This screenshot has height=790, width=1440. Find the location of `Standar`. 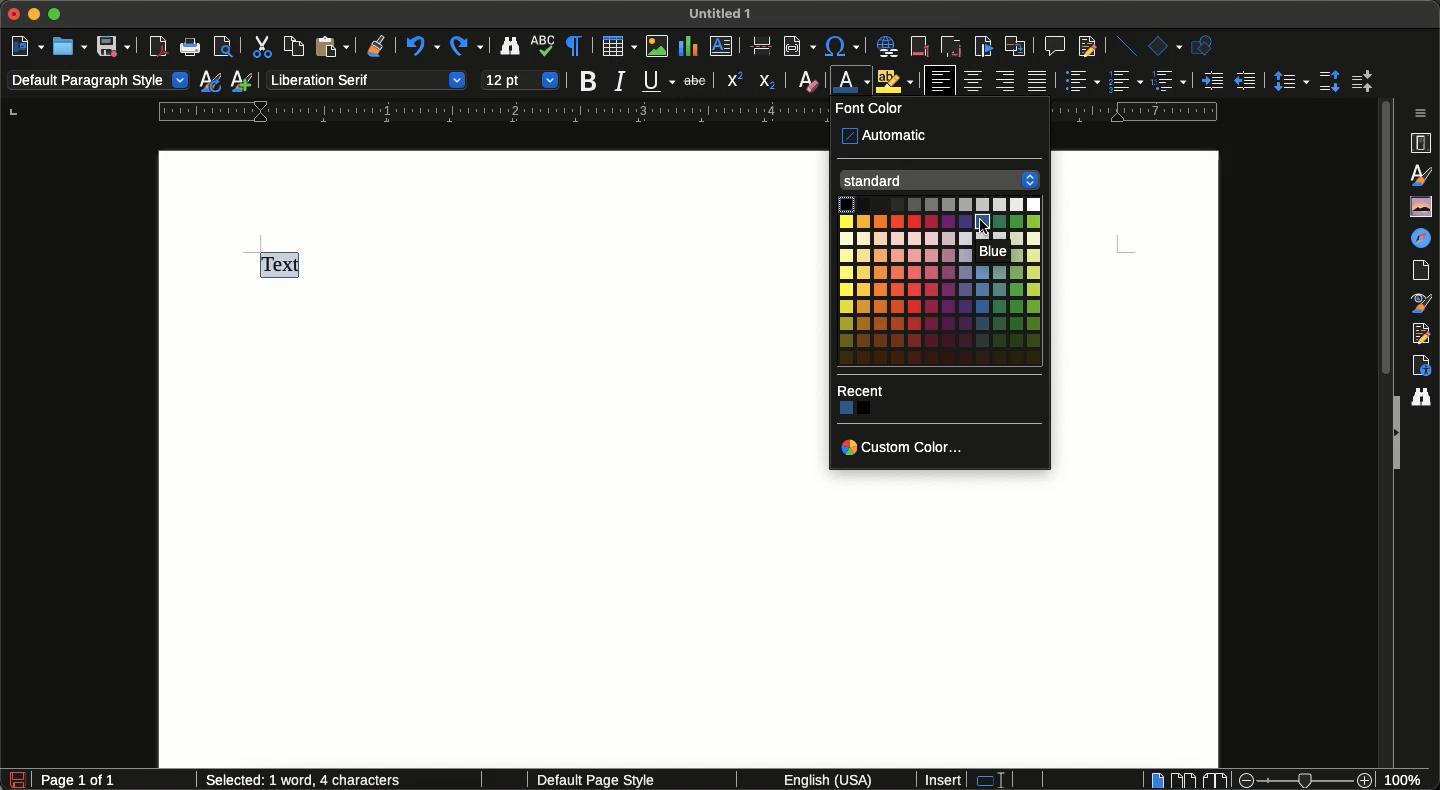

Standar is located at coordinates (940, 180).